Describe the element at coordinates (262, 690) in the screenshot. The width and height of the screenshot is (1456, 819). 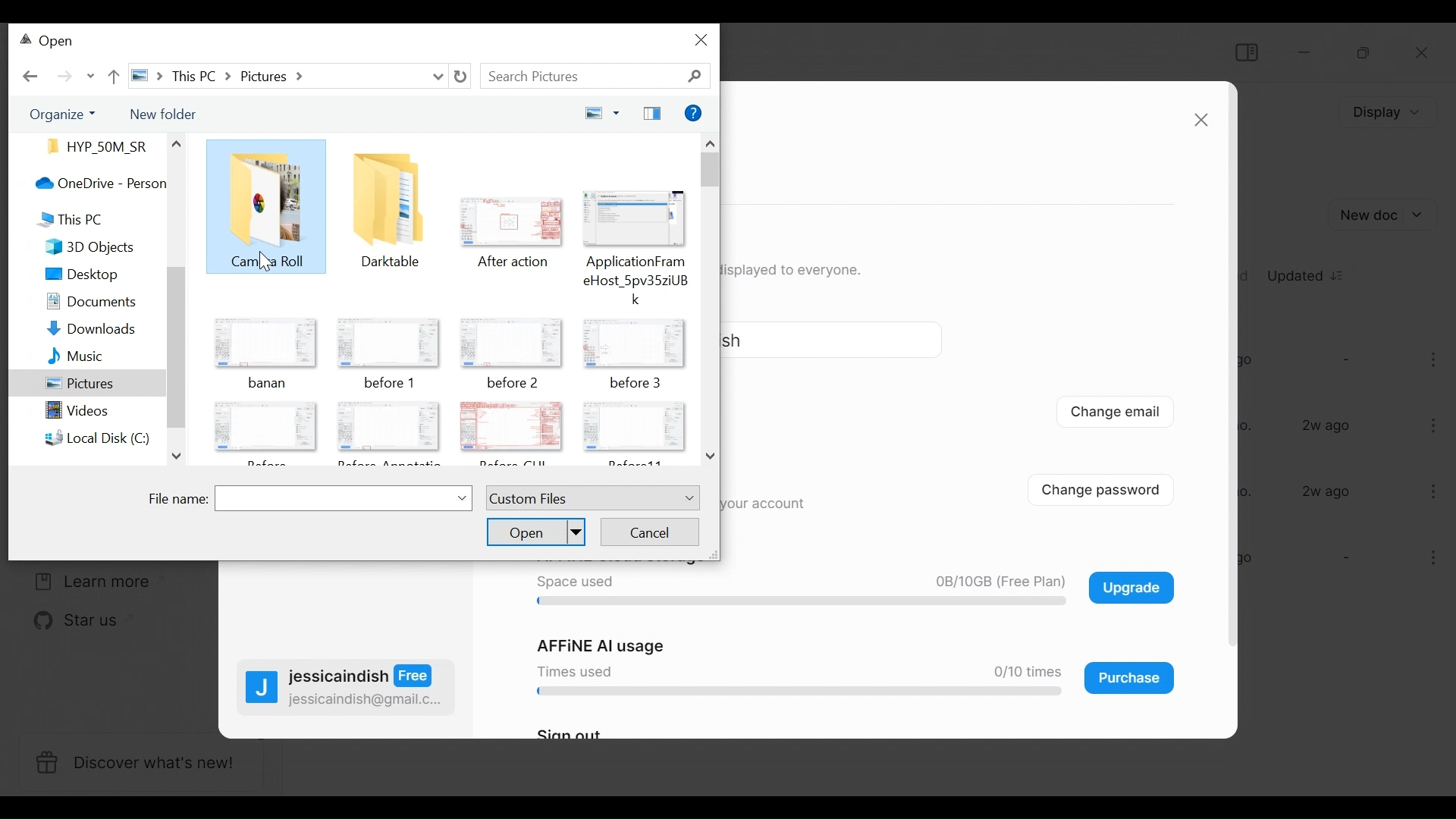
I see `profile` at that location.